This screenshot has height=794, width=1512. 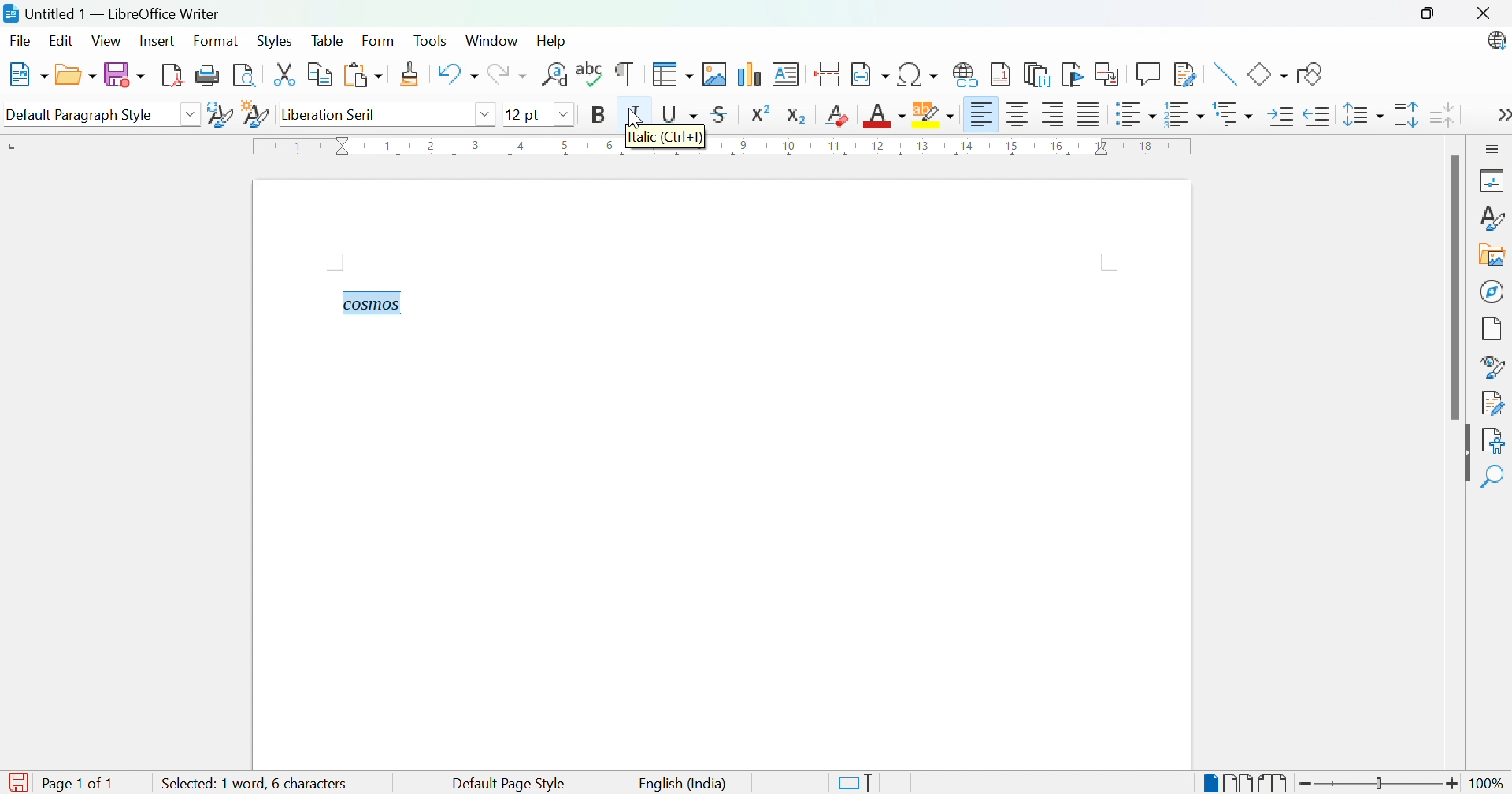 What do you see at coordinates (837, 116) in the screenshot?
I see `Clear direct formatting` at bounding box center [837, 116].